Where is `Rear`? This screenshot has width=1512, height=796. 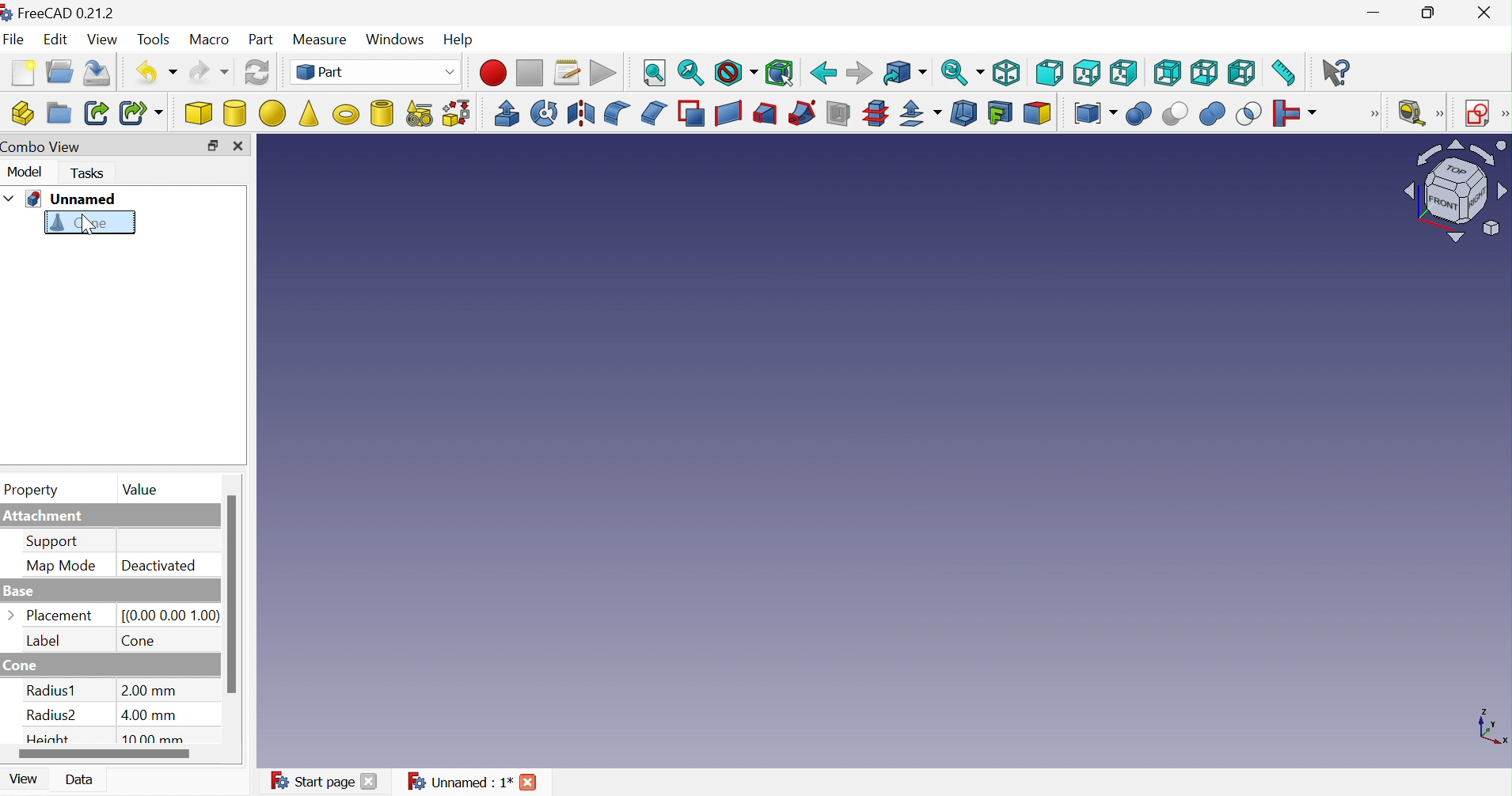 Rear is located at coordinates (1168, 72).